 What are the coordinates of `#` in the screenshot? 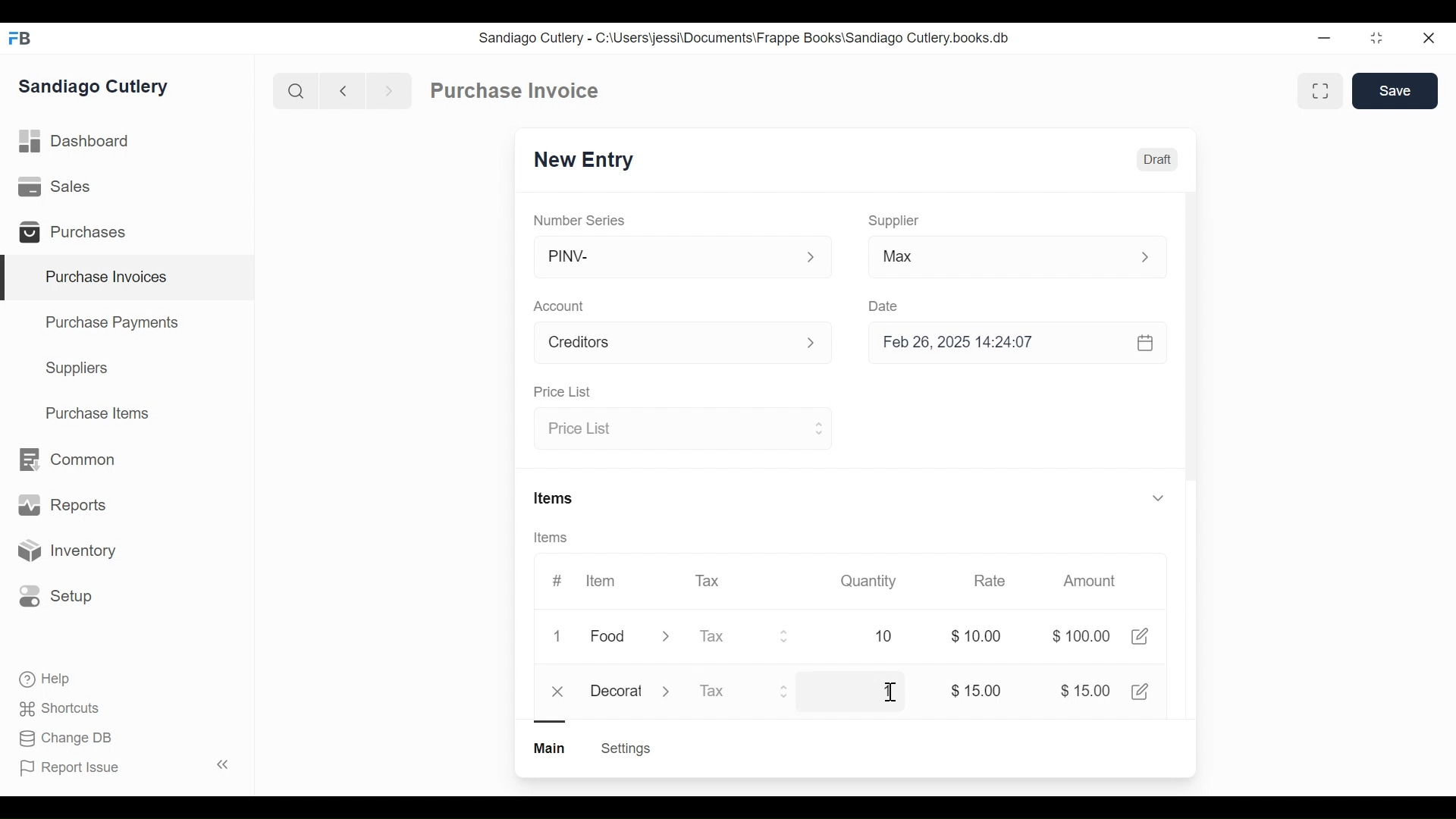 It's located at (557, 580).